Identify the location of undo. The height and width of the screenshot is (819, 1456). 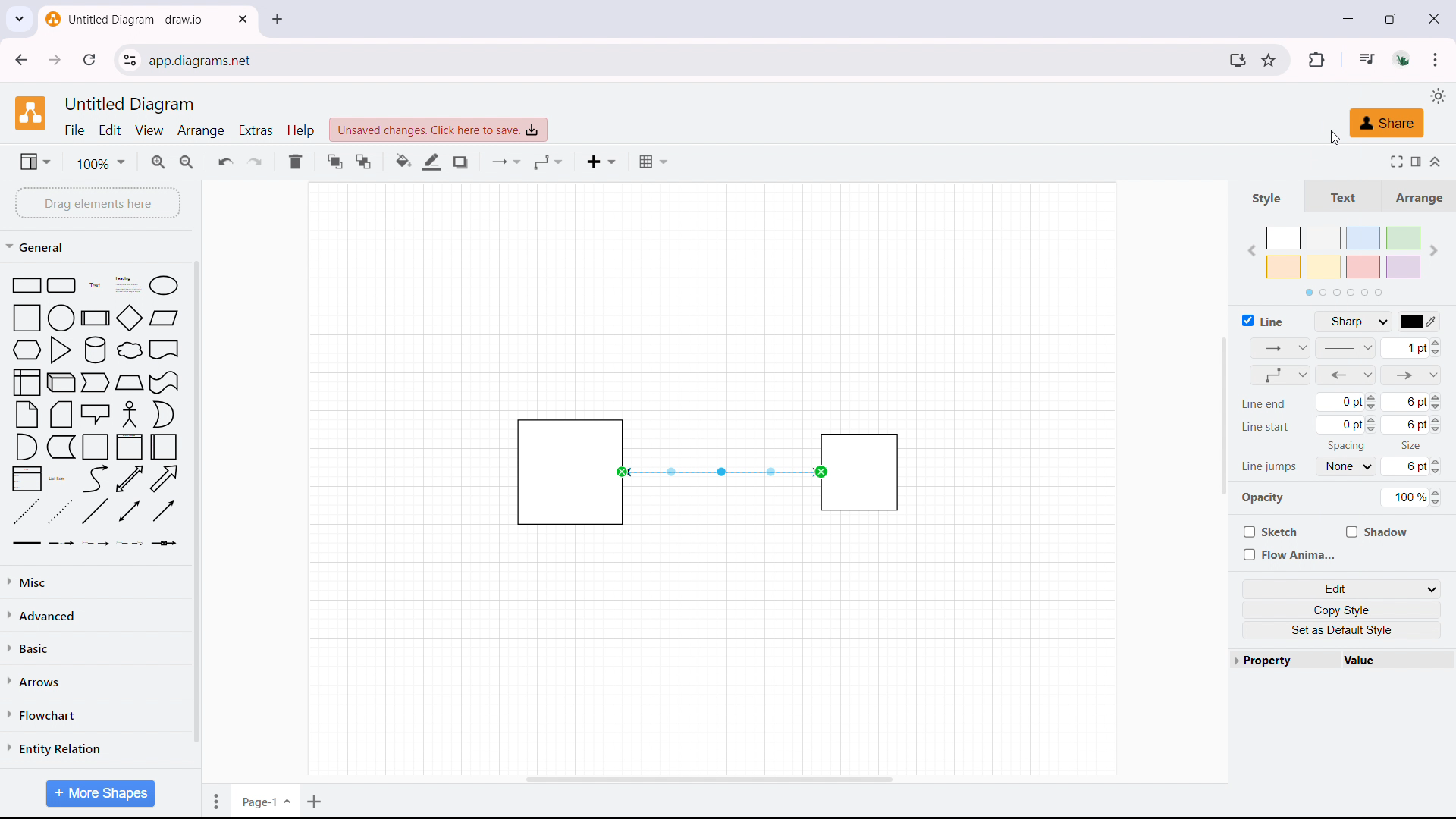
(226, 161).